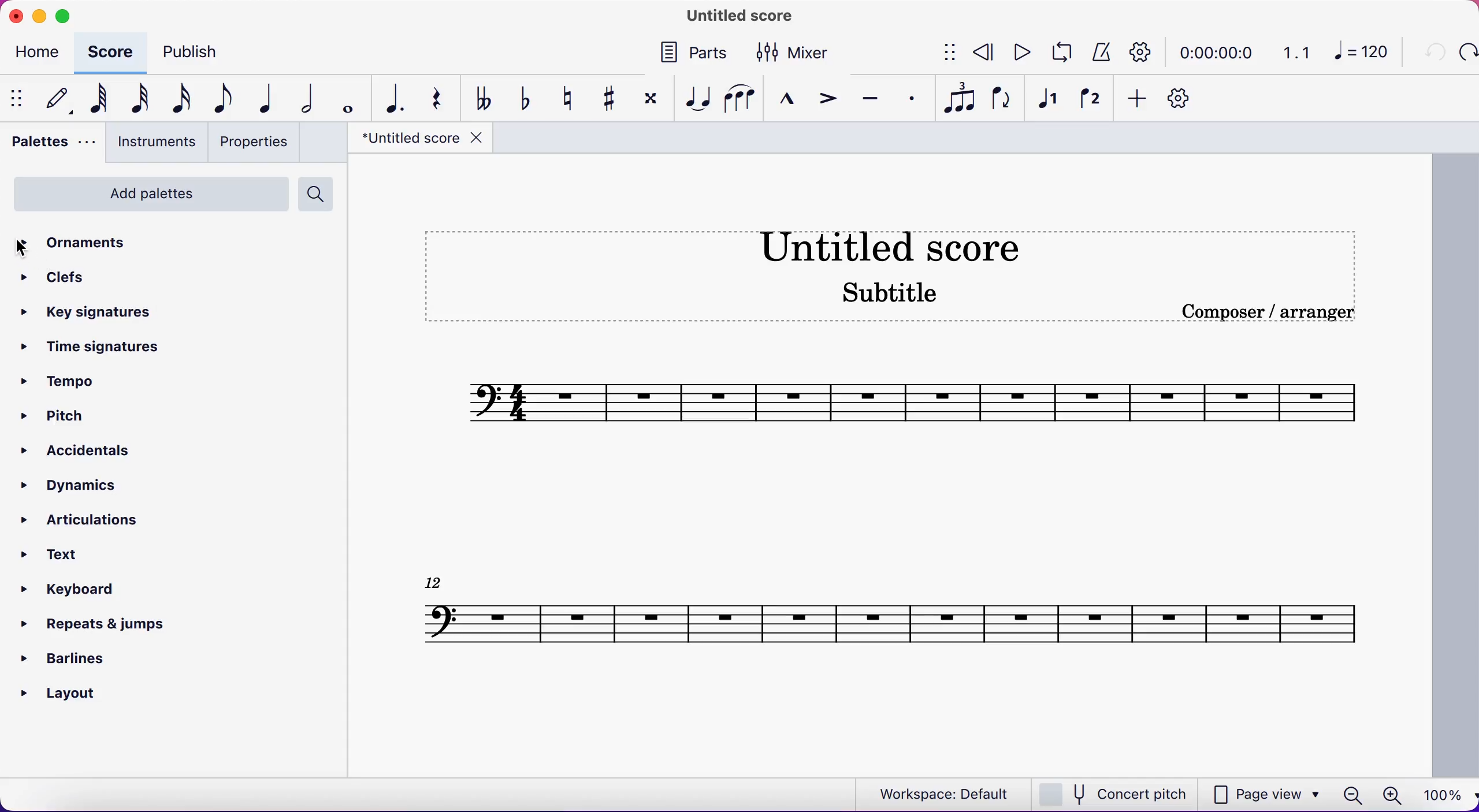 The image size is (1479, 812). I want to click on home, so click(40, 54).